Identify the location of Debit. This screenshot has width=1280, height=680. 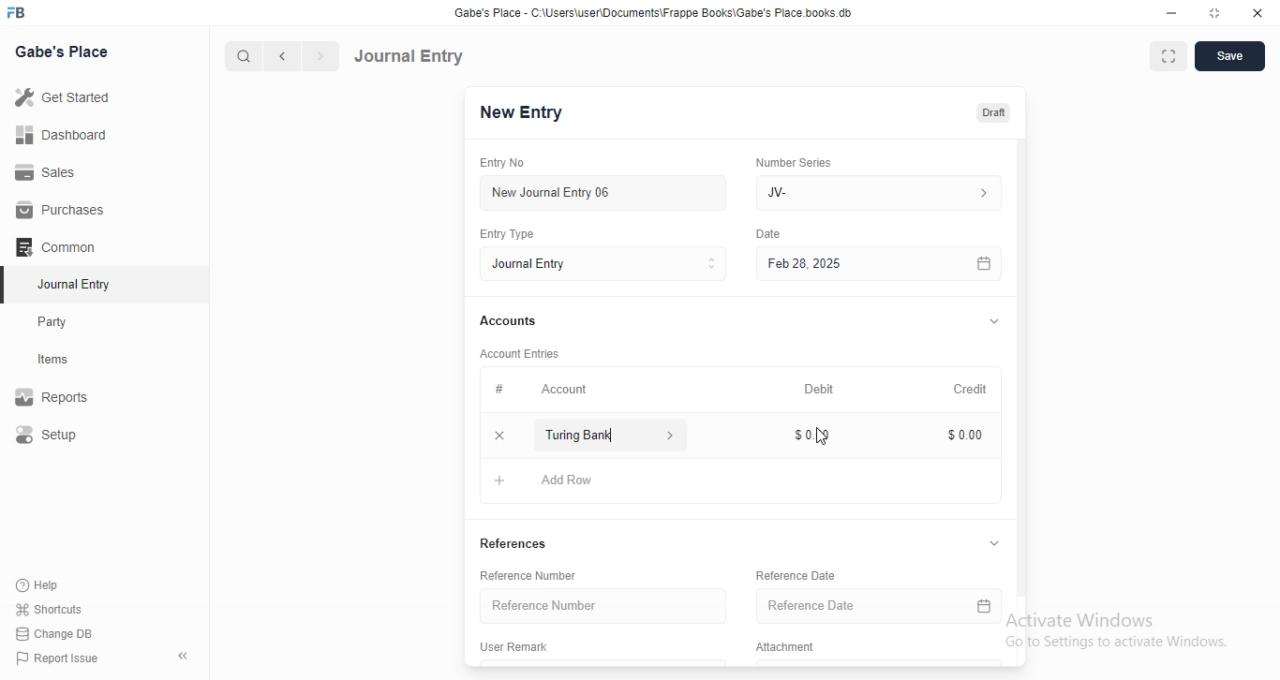
(820, 388).